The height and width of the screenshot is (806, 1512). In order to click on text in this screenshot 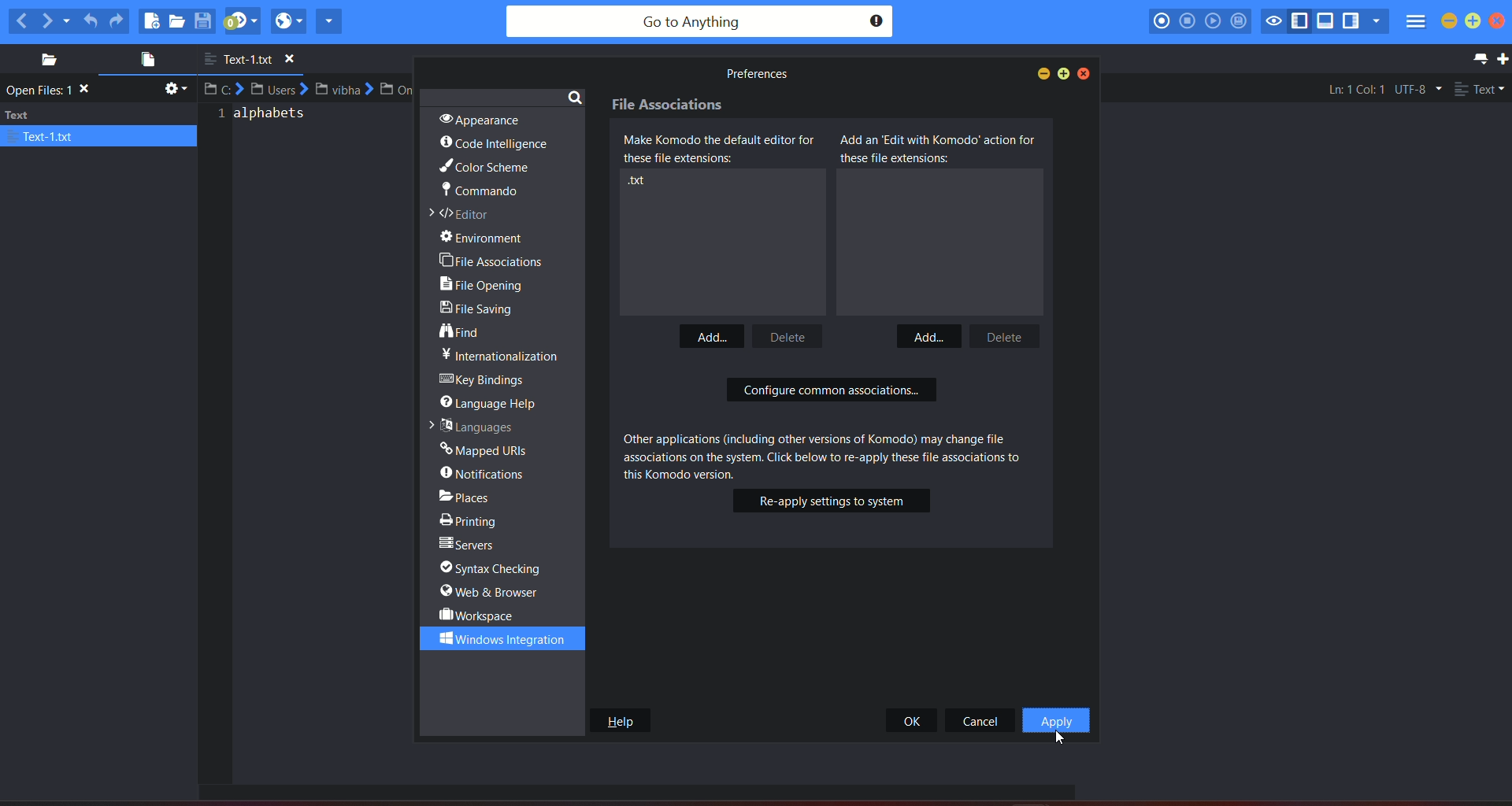, I will do `click(99, 125)`.